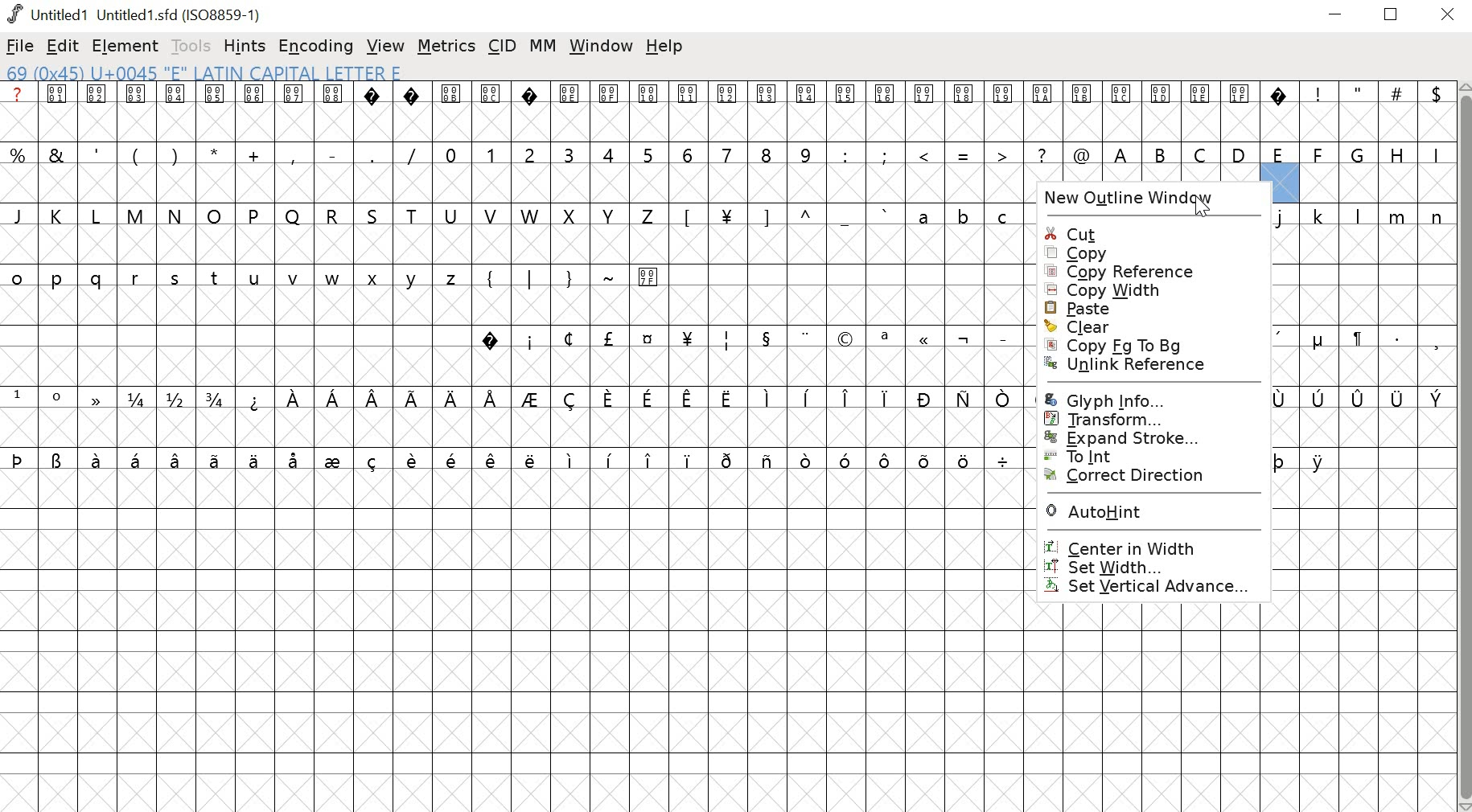  Describe the element at coordinates (64, 46) in the screenshot. I see `edit` at that location.